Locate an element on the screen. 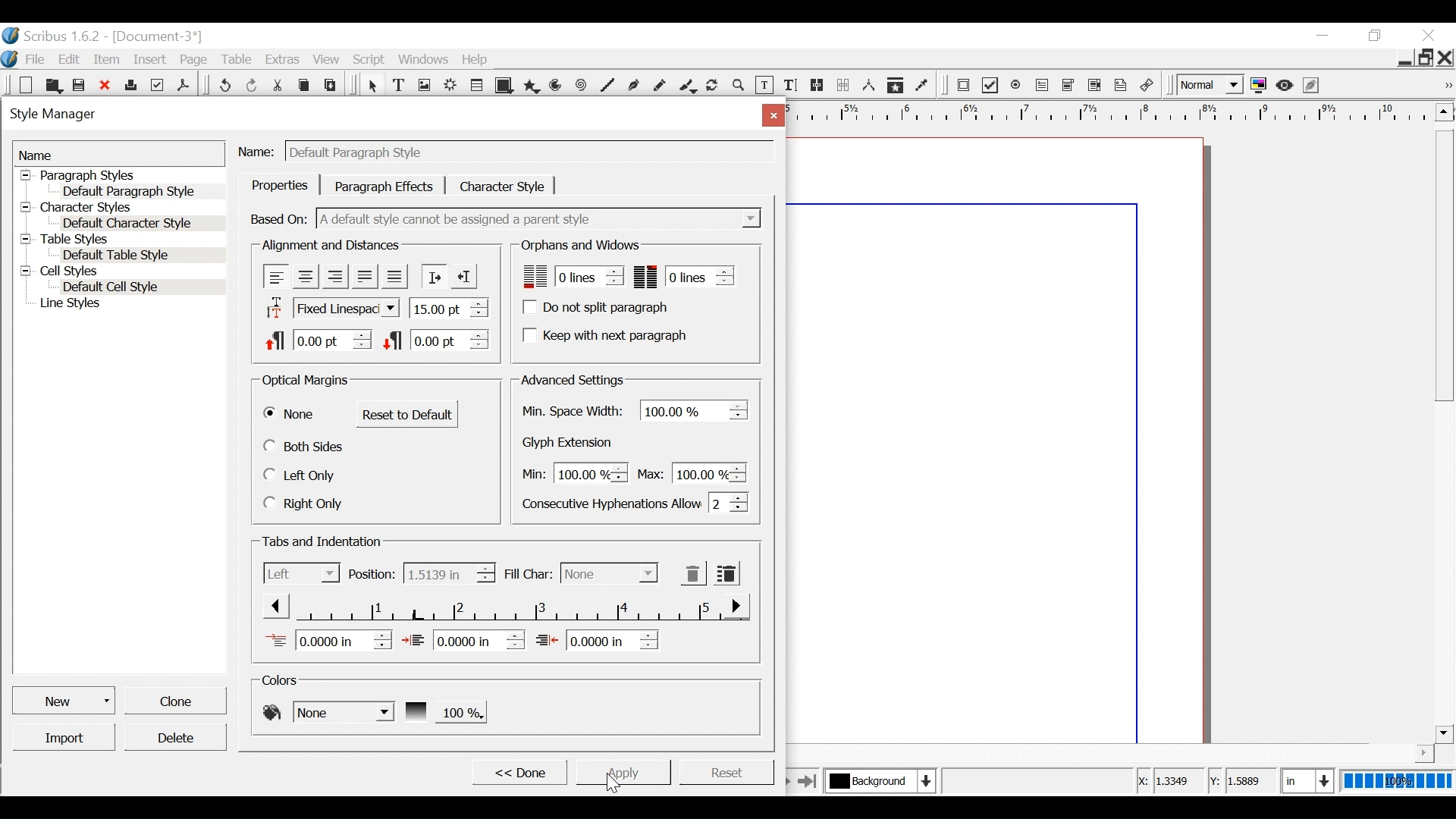 This screenshot has height=819, width=1456. Position is located at coordinates (372, 574).